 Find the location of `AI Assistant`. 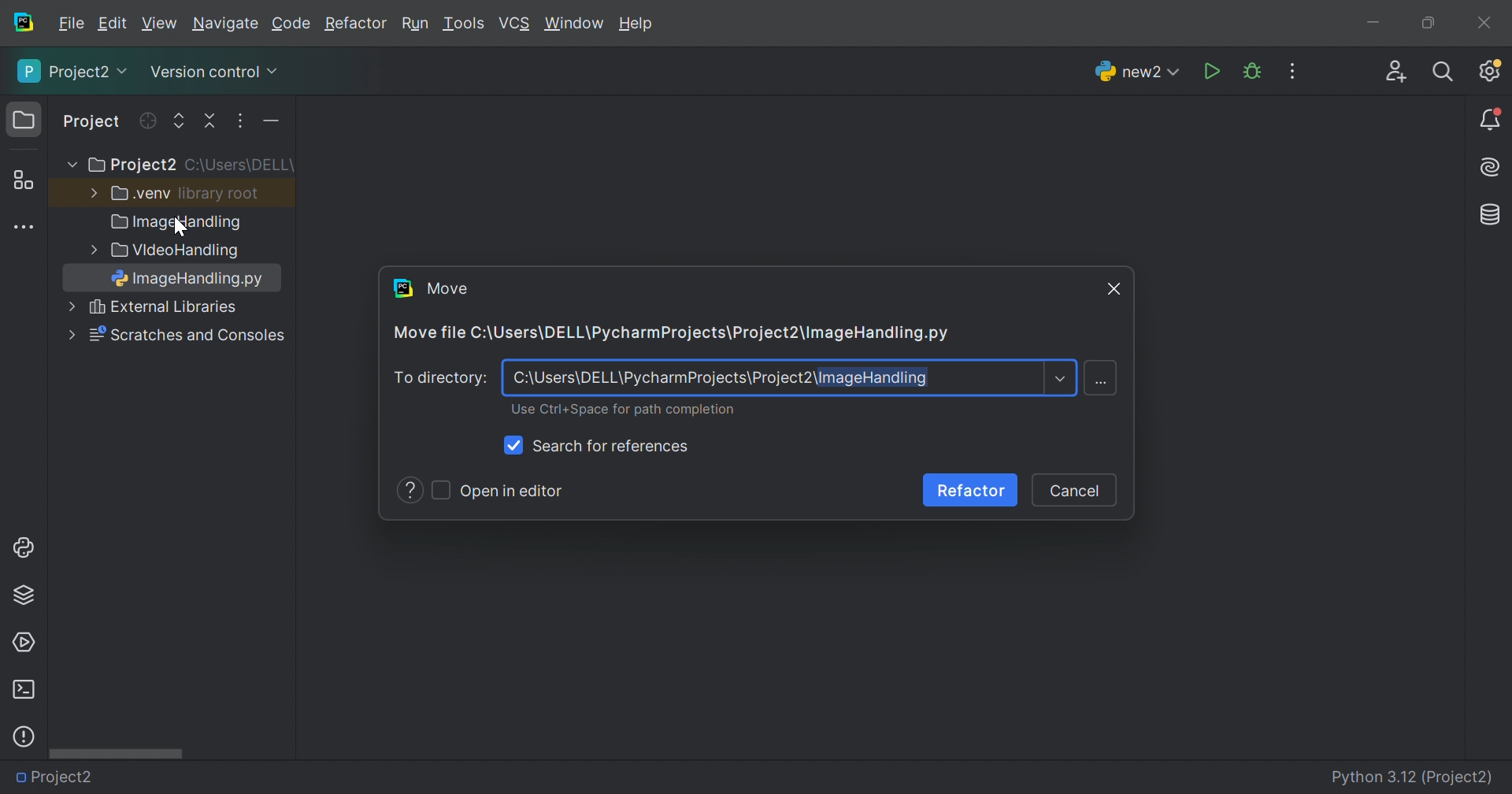

AI Assistant is located at coordinates (1492, 168).